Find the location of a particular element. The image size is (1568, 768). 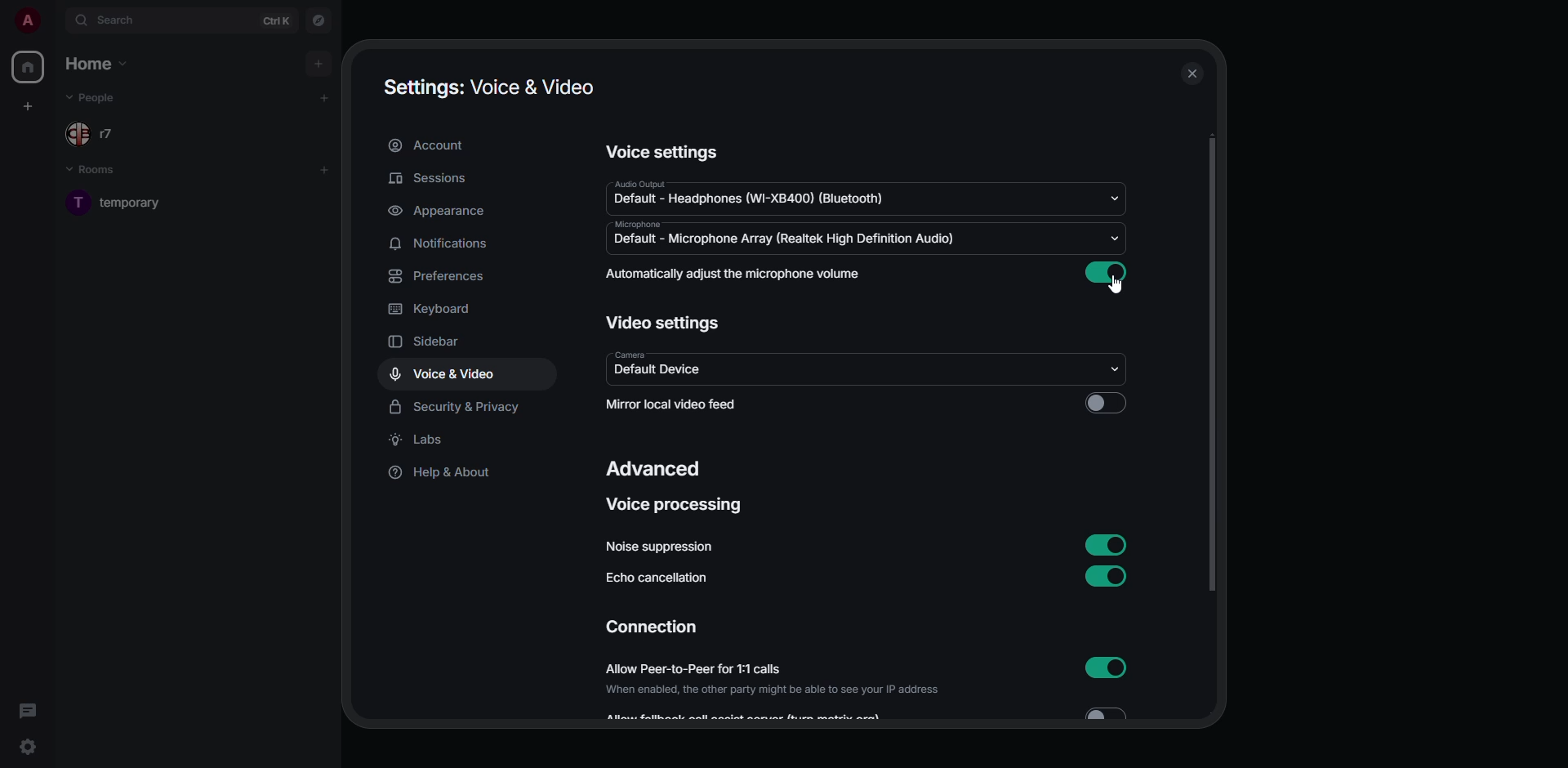

people is located at coordinates (99, 132).